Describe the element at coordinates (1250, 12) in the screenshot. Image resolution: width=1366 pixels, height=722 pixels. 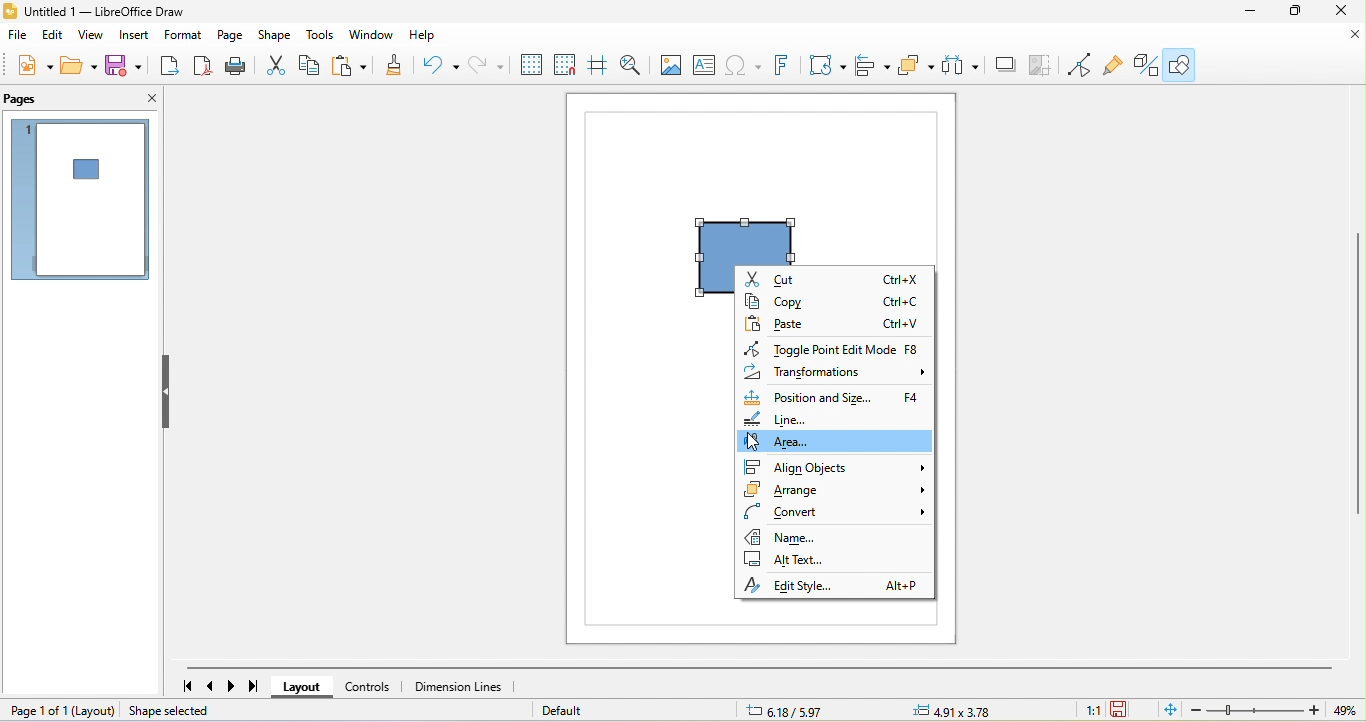
I see `minimize` at that location.